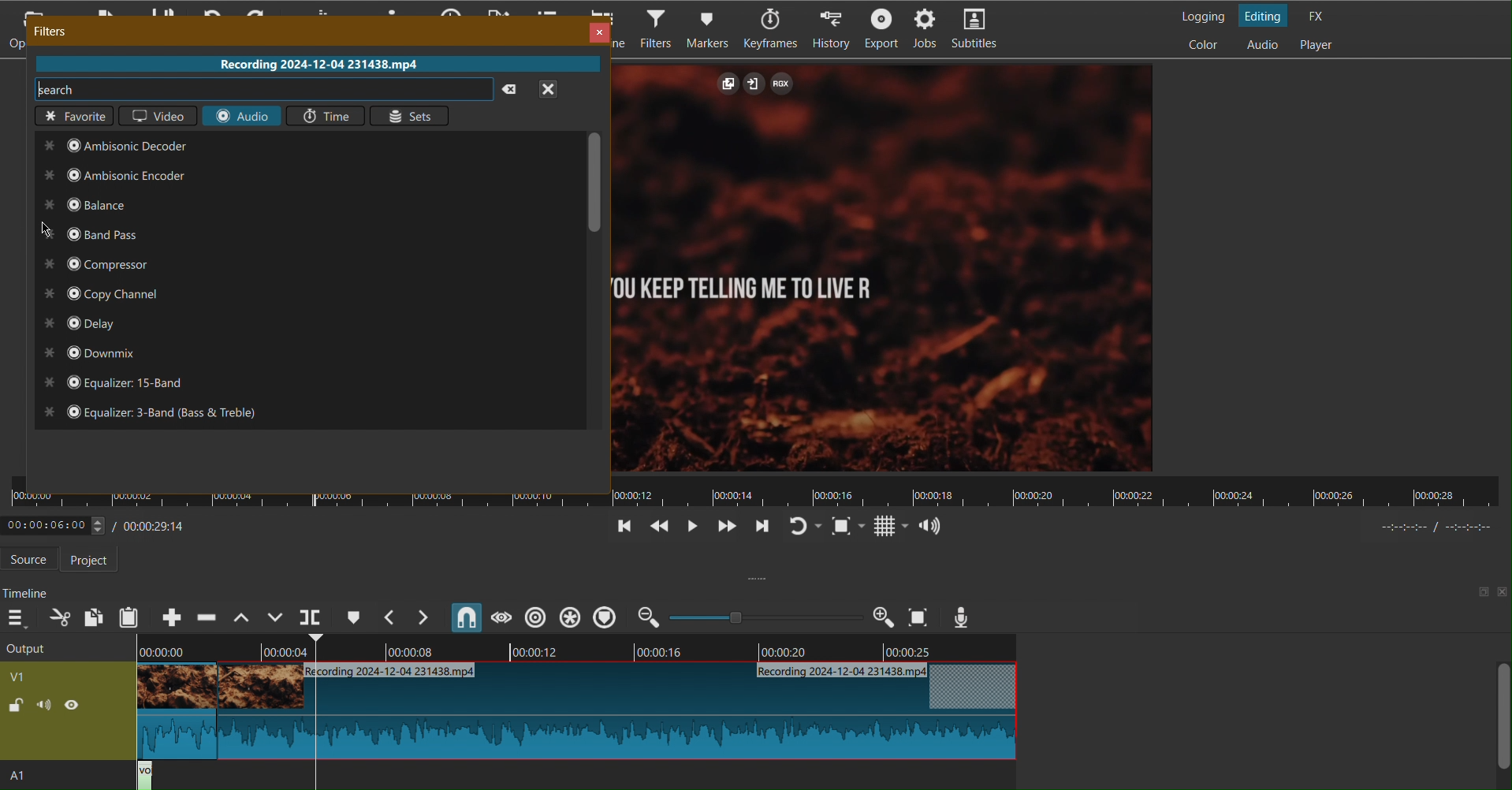 The height and width of the screenshot is (790, 1512). What do you see at coordinates (556, 91) in the screenshot?
I see `close` at bounding box center [556, 91].